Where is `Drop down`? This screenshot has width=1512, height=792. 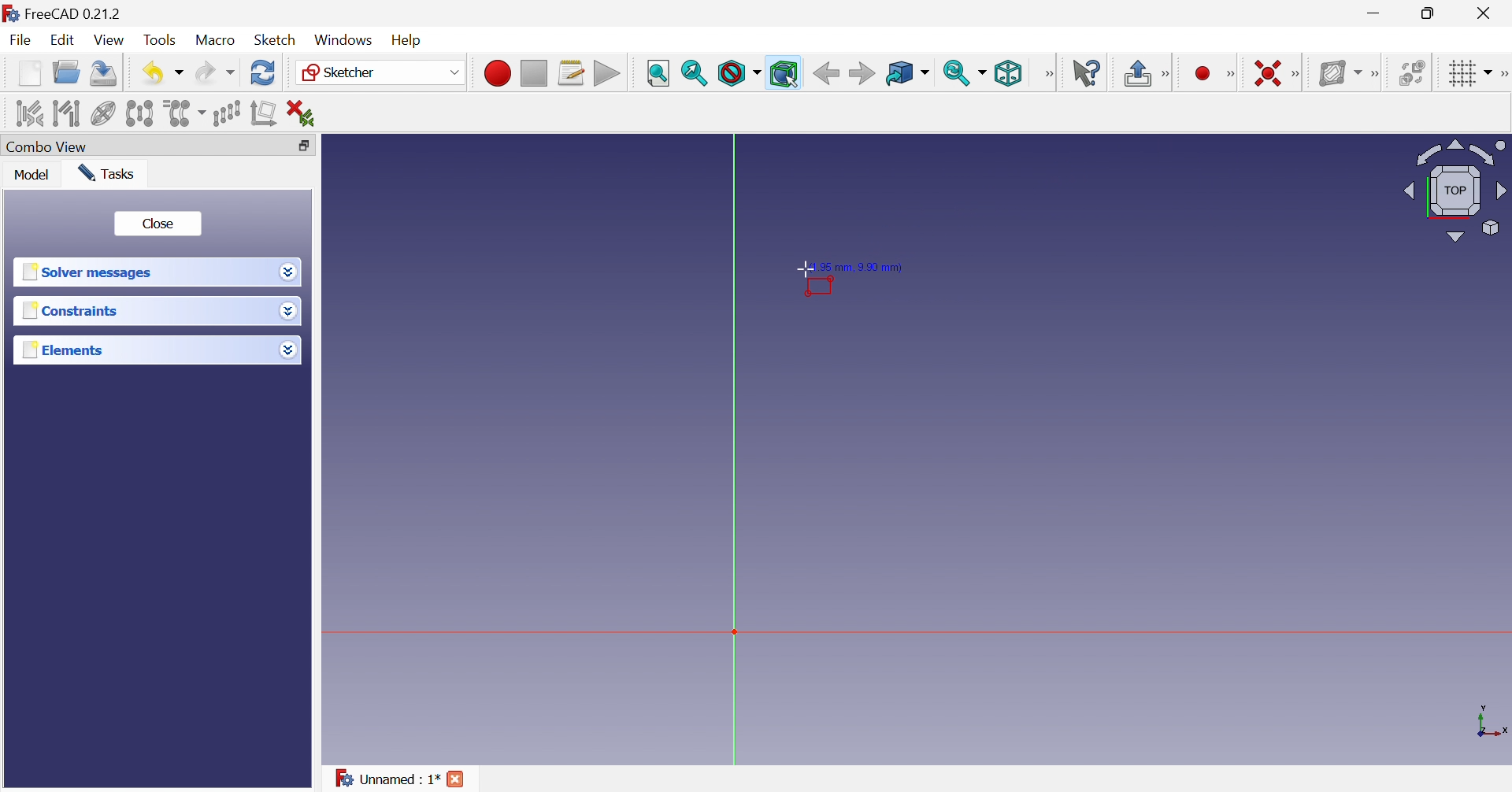 Drop down is located at coordinates (289, 351).